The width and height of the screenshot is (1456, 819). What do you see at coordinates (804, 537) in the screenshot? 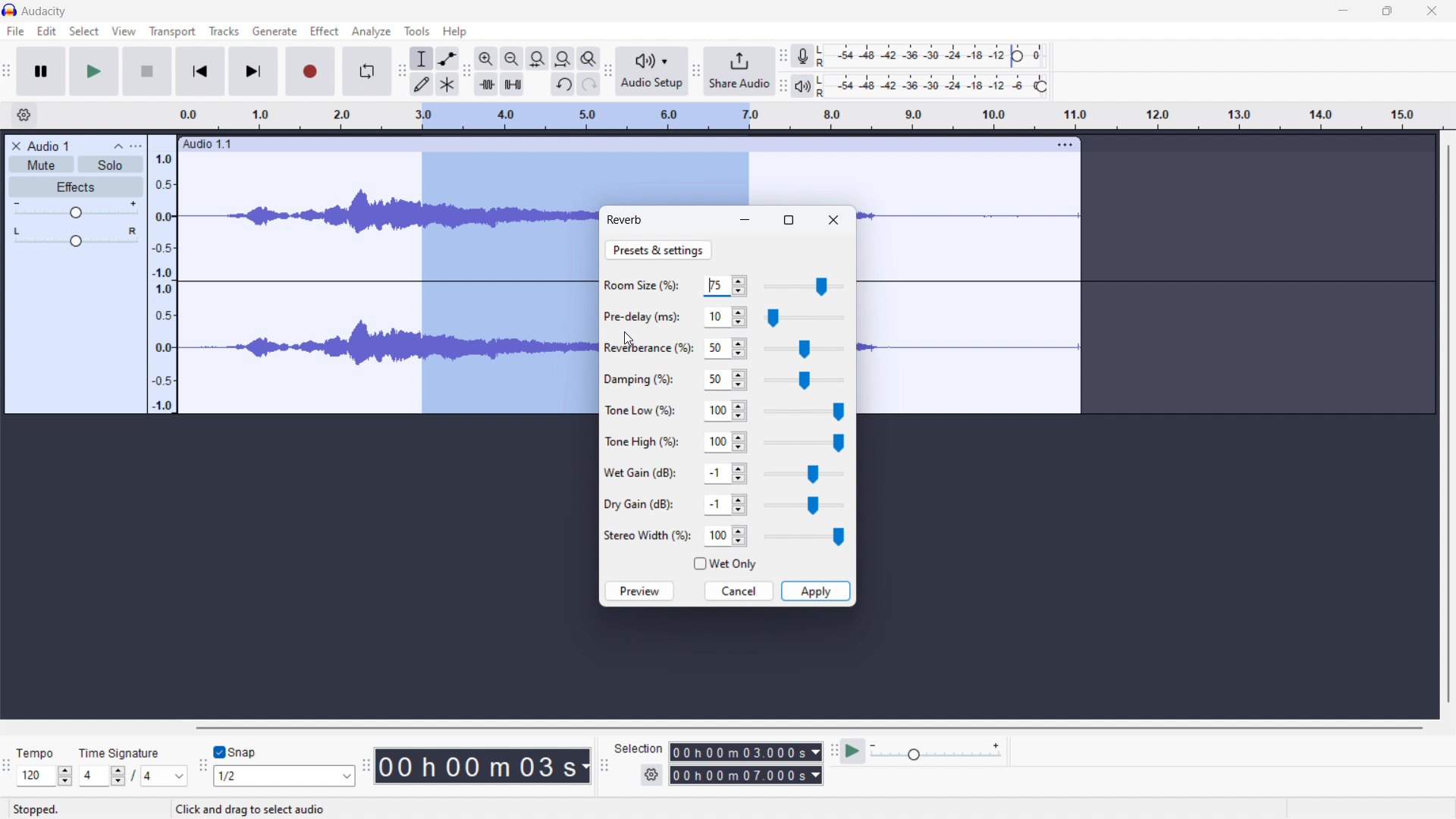
I see `stereo width slider` at bounding box center [804, 537].